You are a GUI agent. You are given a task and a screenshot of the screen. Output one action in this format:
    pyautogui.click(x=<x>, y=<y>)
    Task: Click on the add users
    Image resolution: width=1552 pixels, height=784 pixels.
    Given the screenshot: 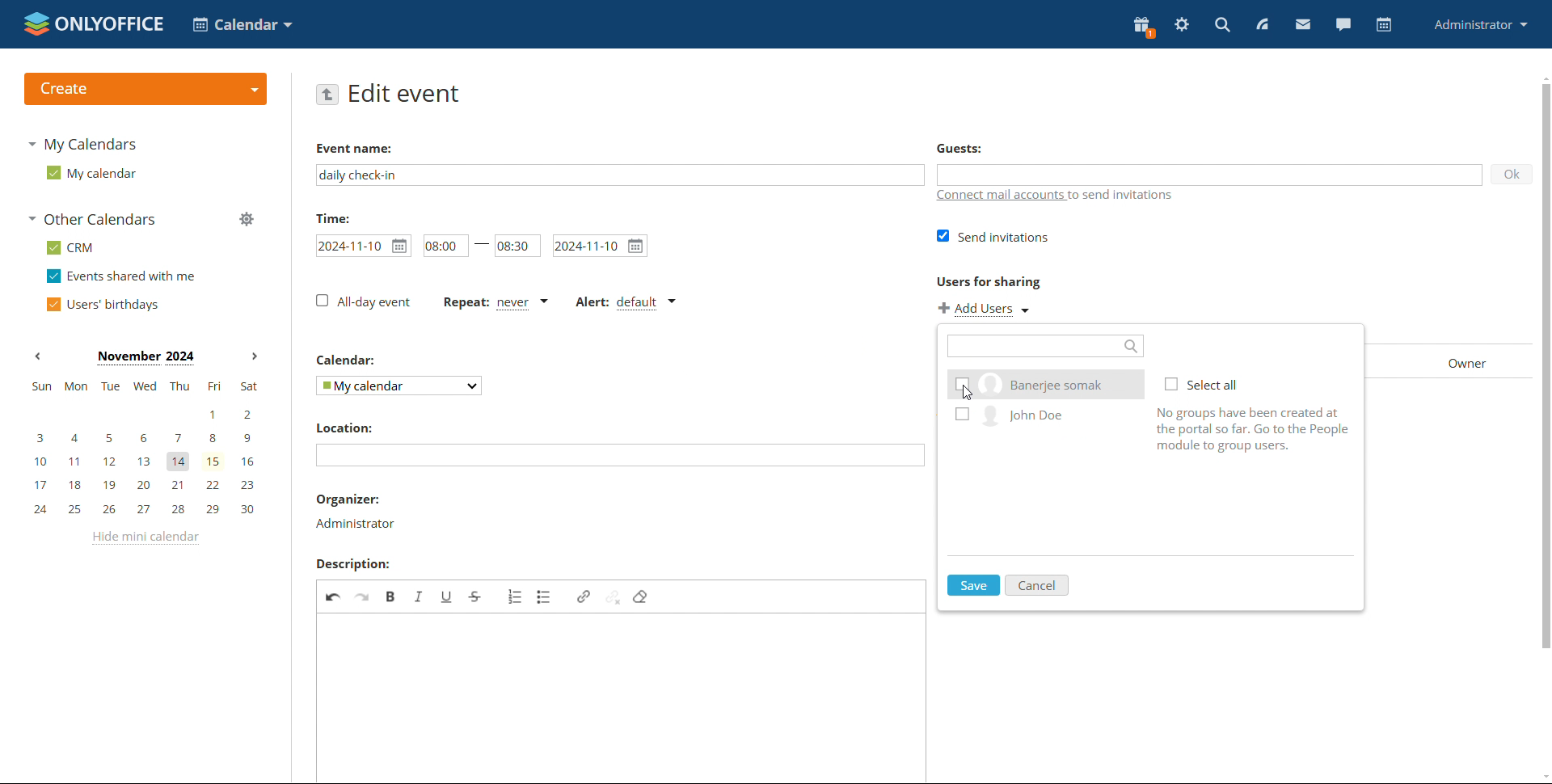 What is the action you would take?
    pyautogui.click(x=986, y=309)
    